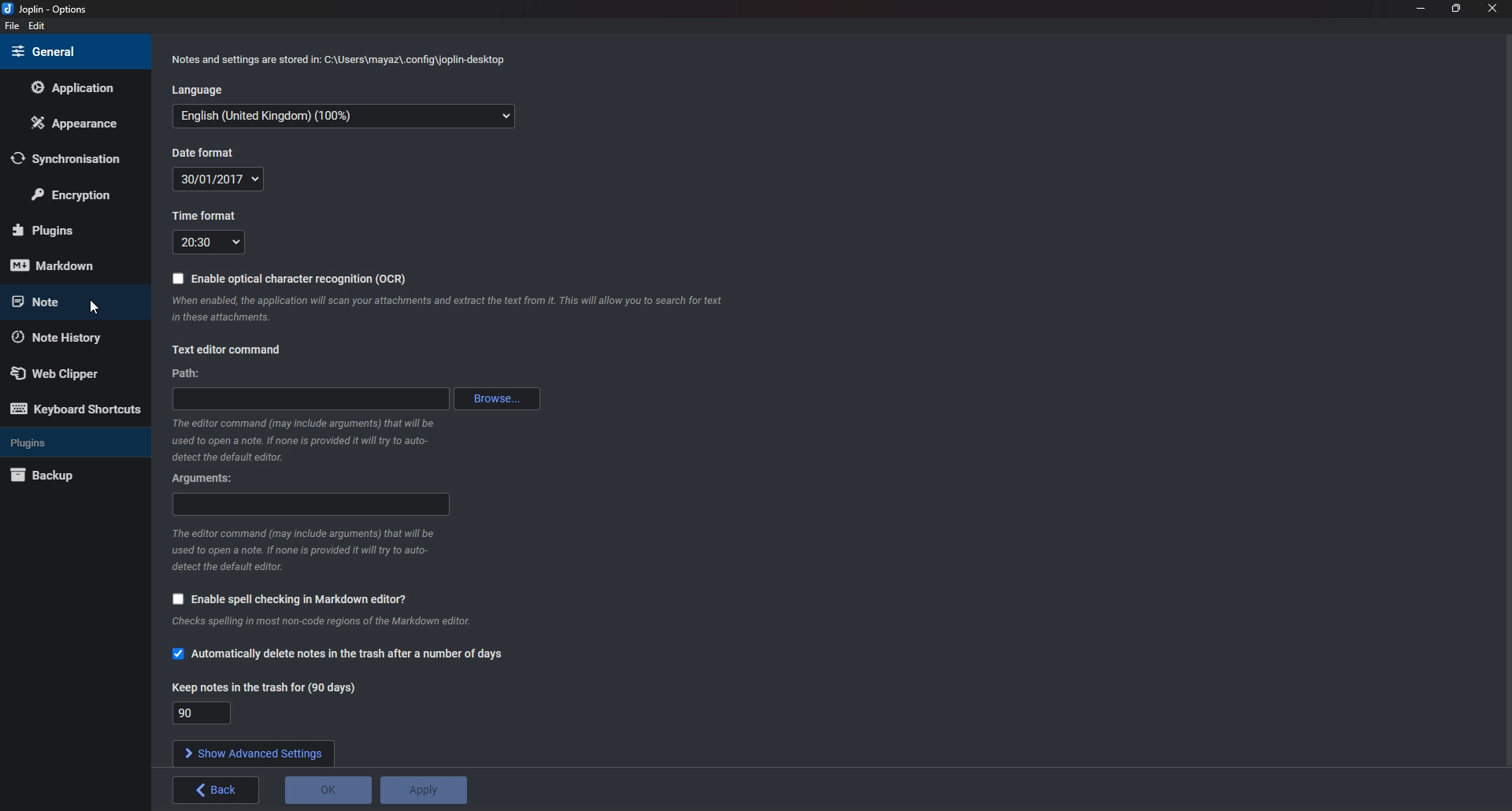  What do you see at coordinates (69, 372) in the screenshot?
I see `Web Clipper` at bounding box center [69, 372].